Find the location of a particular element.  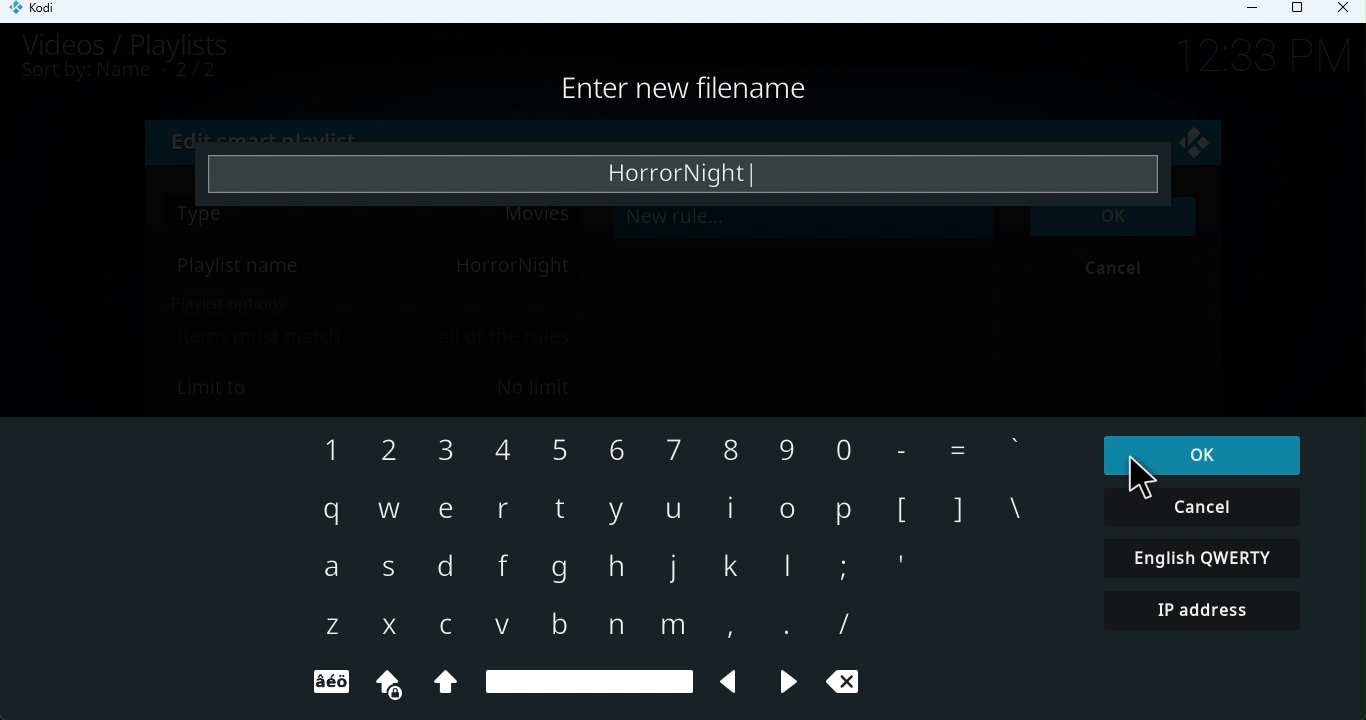

IP address is located at coordinates (1210, 613).